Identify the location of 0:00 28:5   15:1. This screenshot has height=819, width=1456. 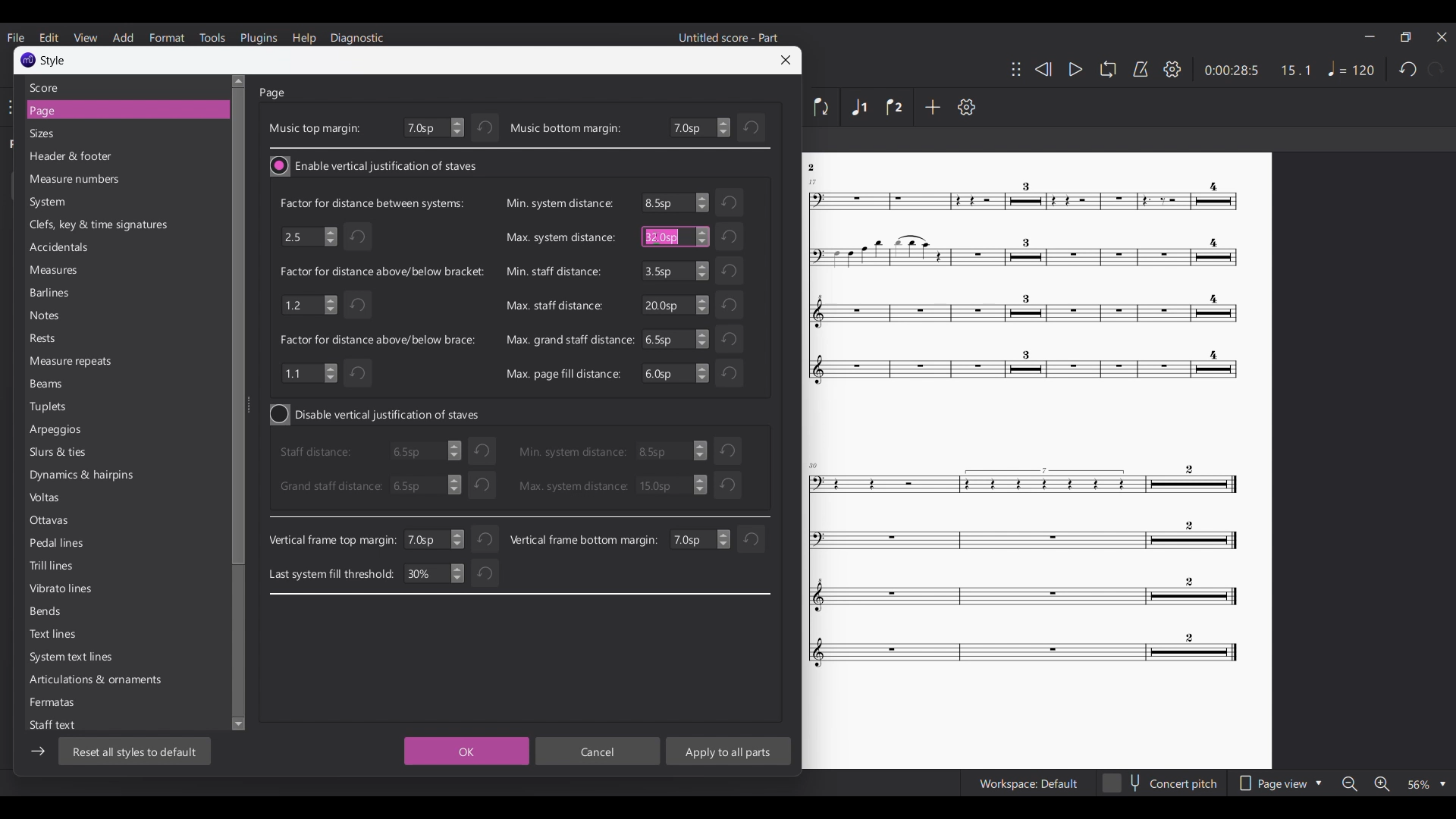
(1257, 71).